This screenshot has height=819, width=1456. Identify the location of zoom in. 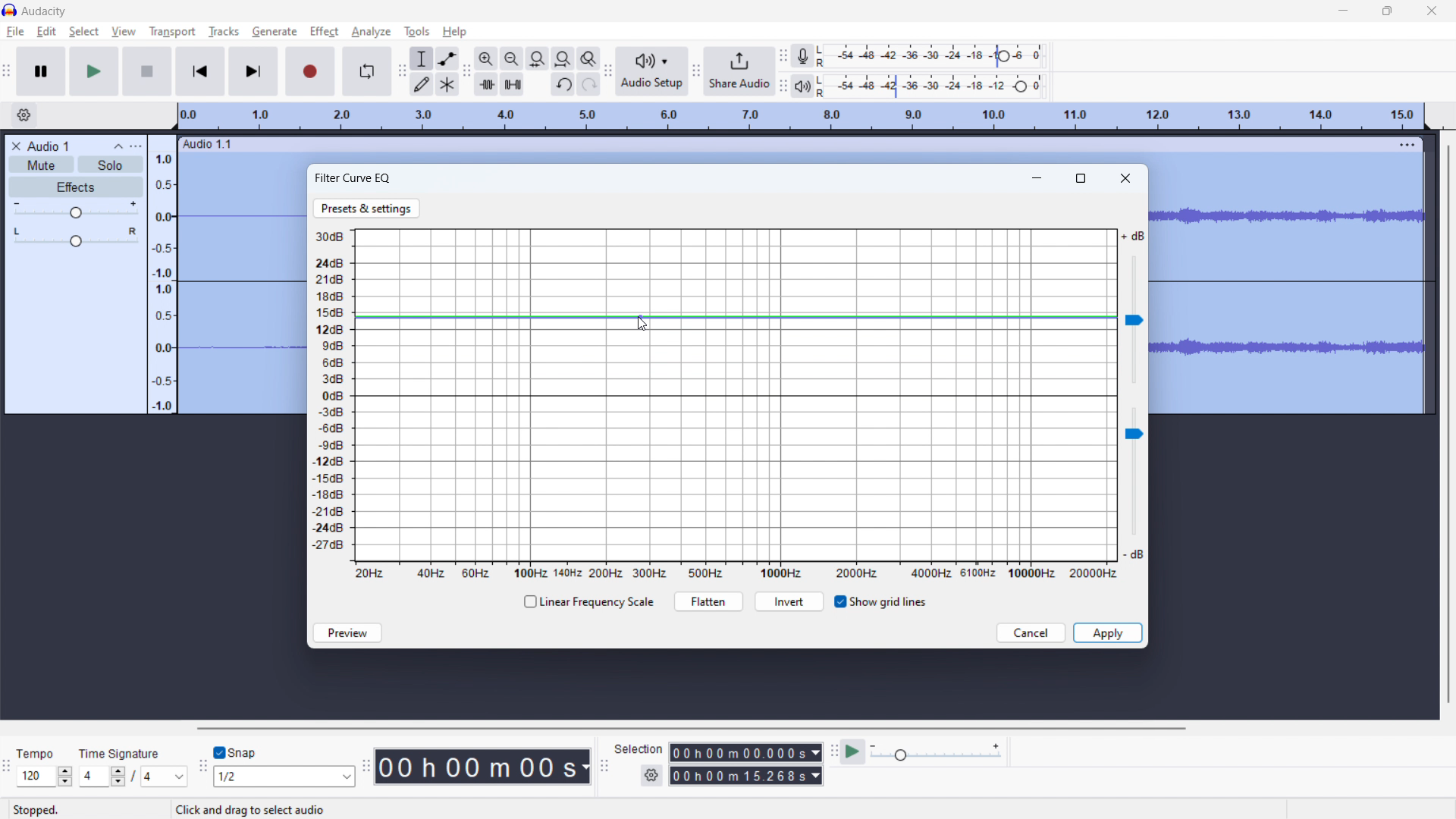
(486, 58).